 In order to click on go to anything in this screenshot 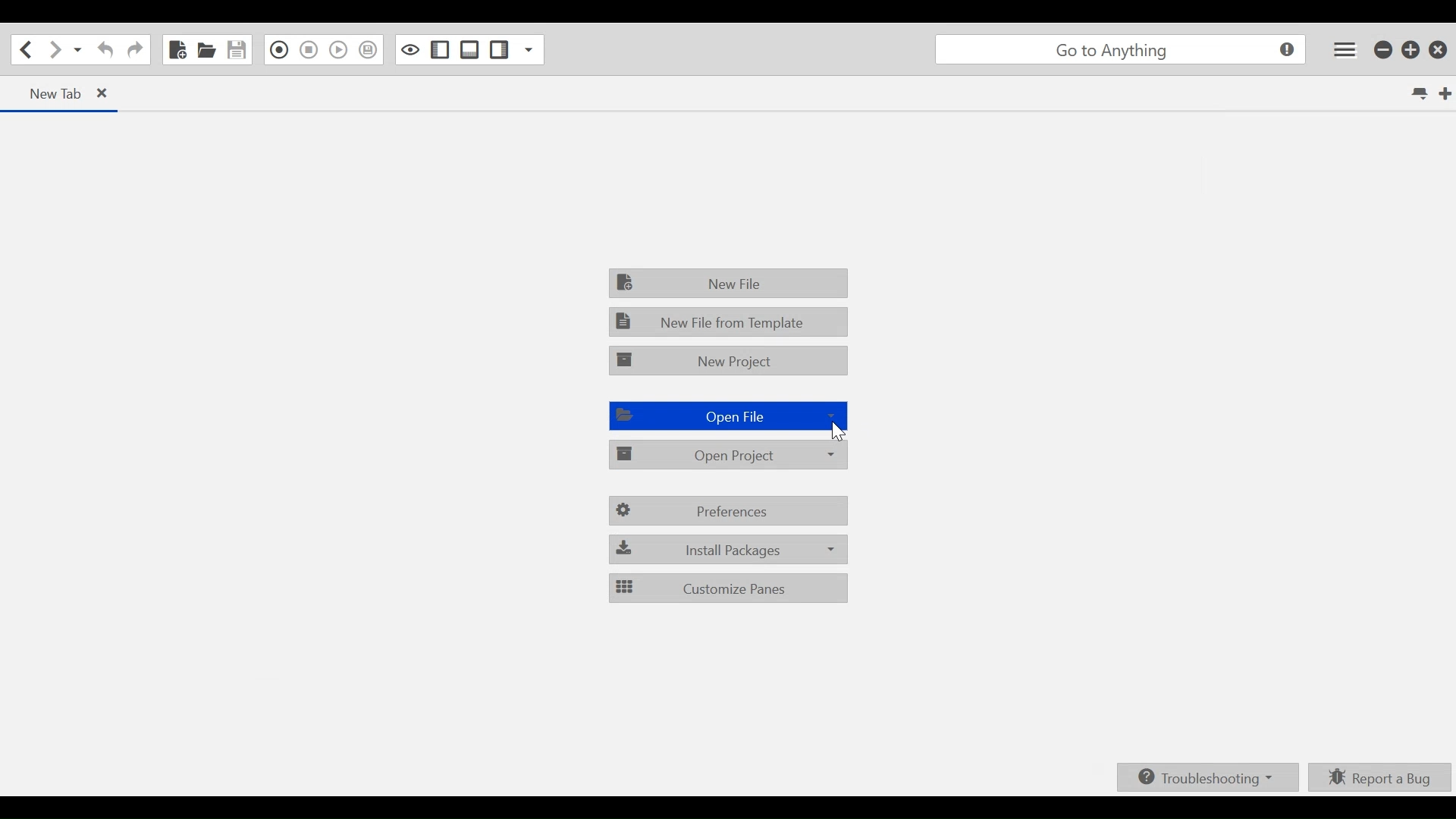, I will do `click(1124, 51)`.